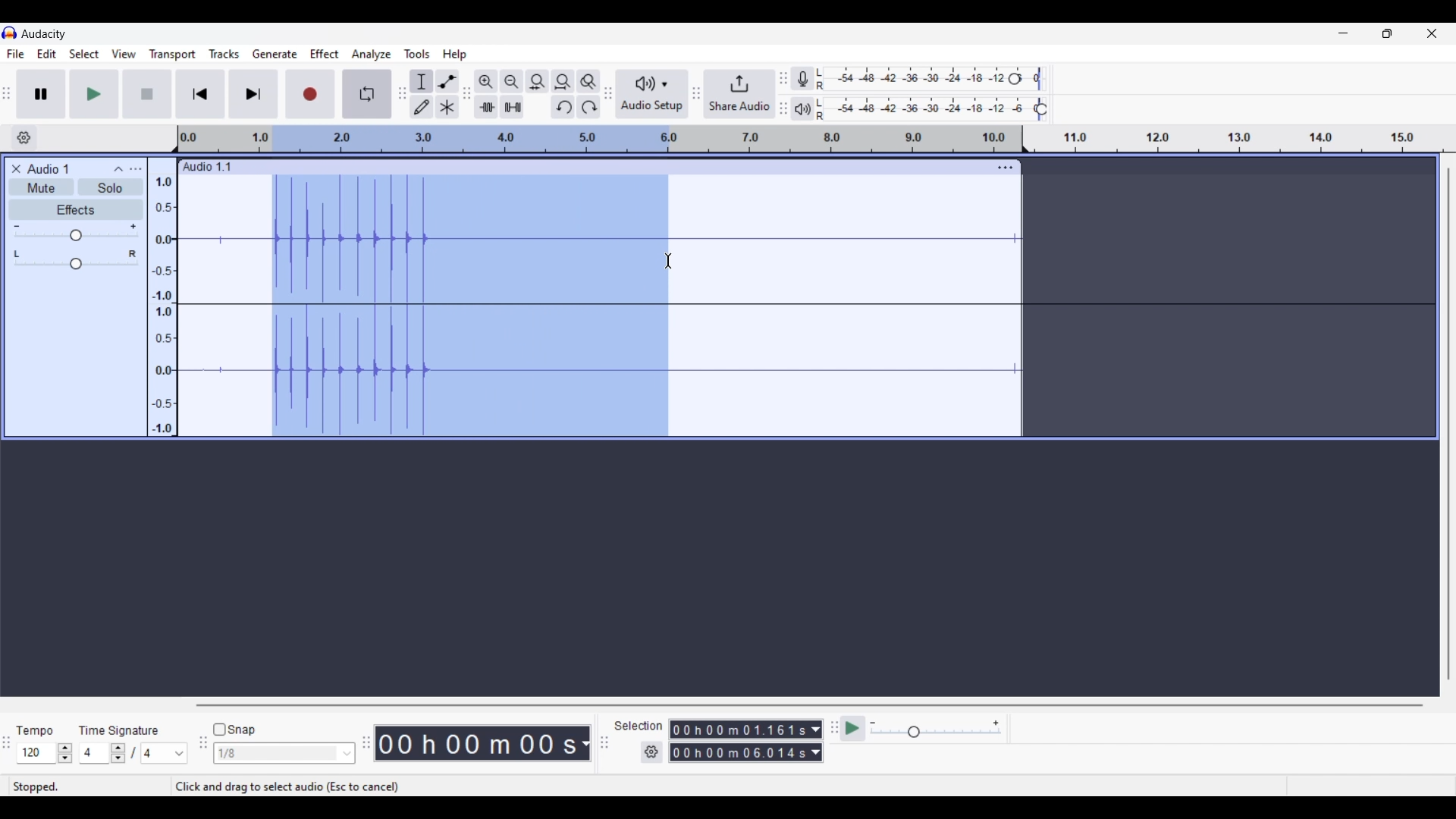 The image size is (1456, 819). Describe the element at coordinates (124, 55) in the screenshot. I see `View menu` at that location.